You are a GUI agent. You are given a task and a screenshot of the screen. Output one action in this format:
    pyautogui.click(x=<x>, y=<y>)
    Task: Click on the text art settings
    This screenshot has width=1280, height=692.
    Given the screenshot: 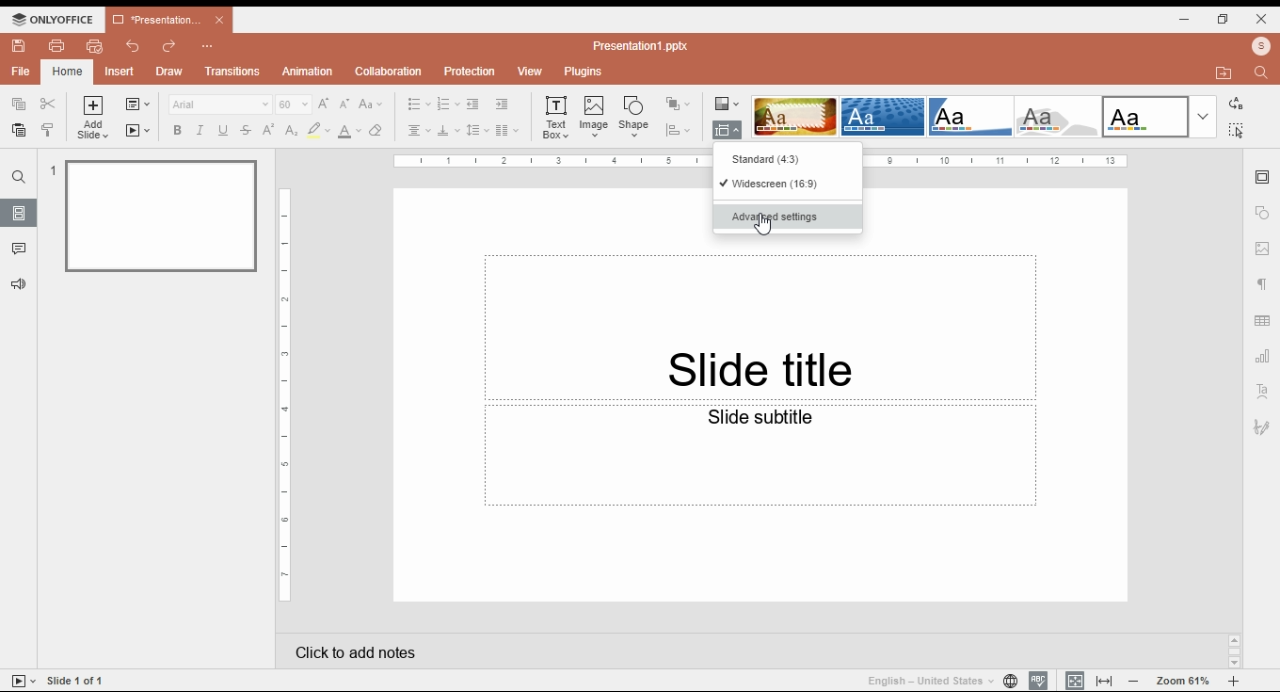 What is the action you would take?
    pyautogui.click(x=1263, y=390)
    